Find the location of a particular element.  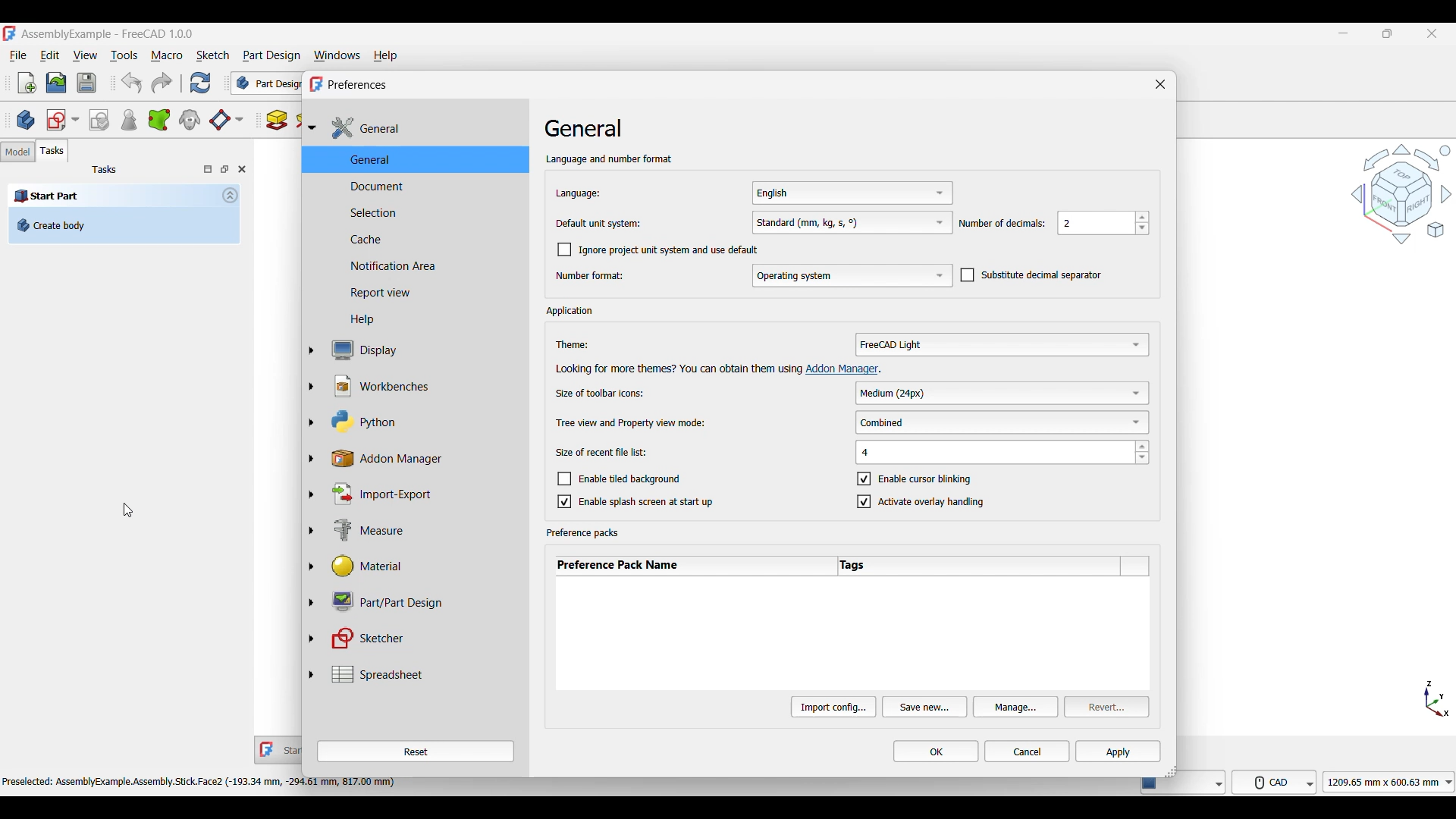

View menu is located at coordinates (86, 55).